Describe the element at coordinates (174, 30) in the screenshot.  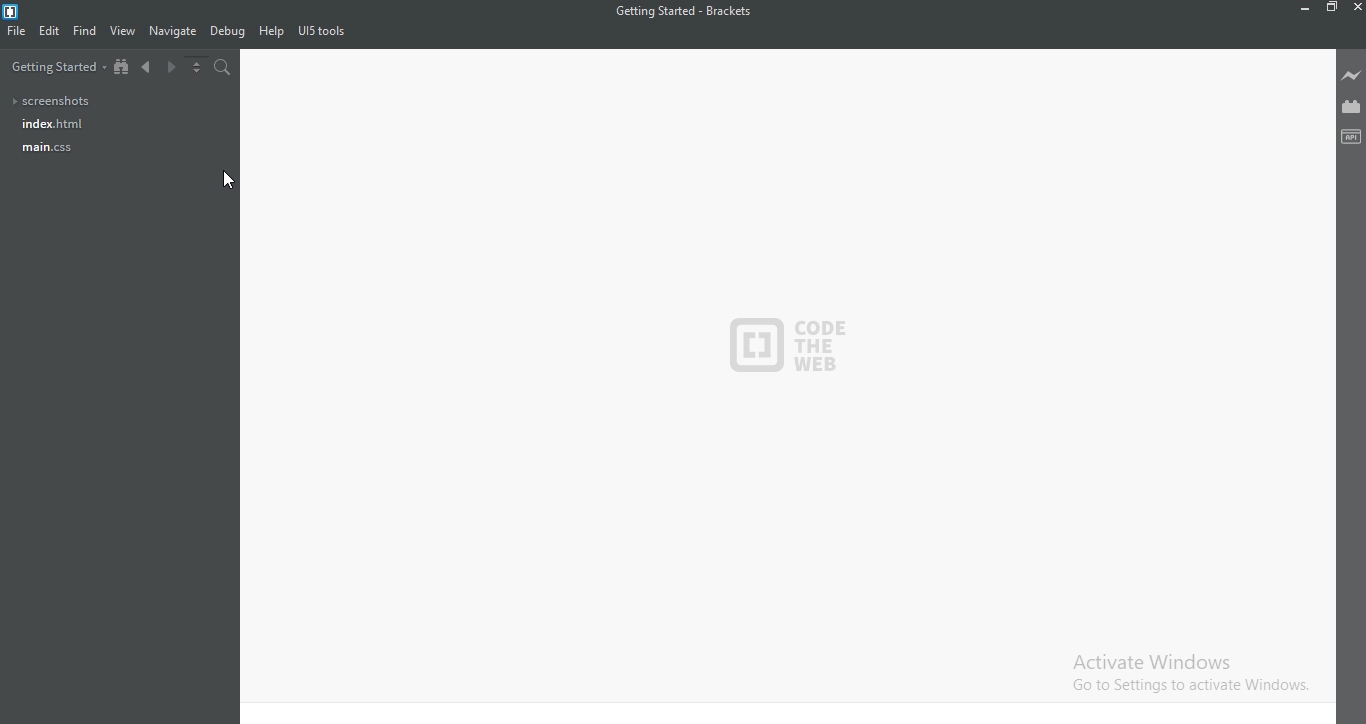
I see `Navigate` at that location.